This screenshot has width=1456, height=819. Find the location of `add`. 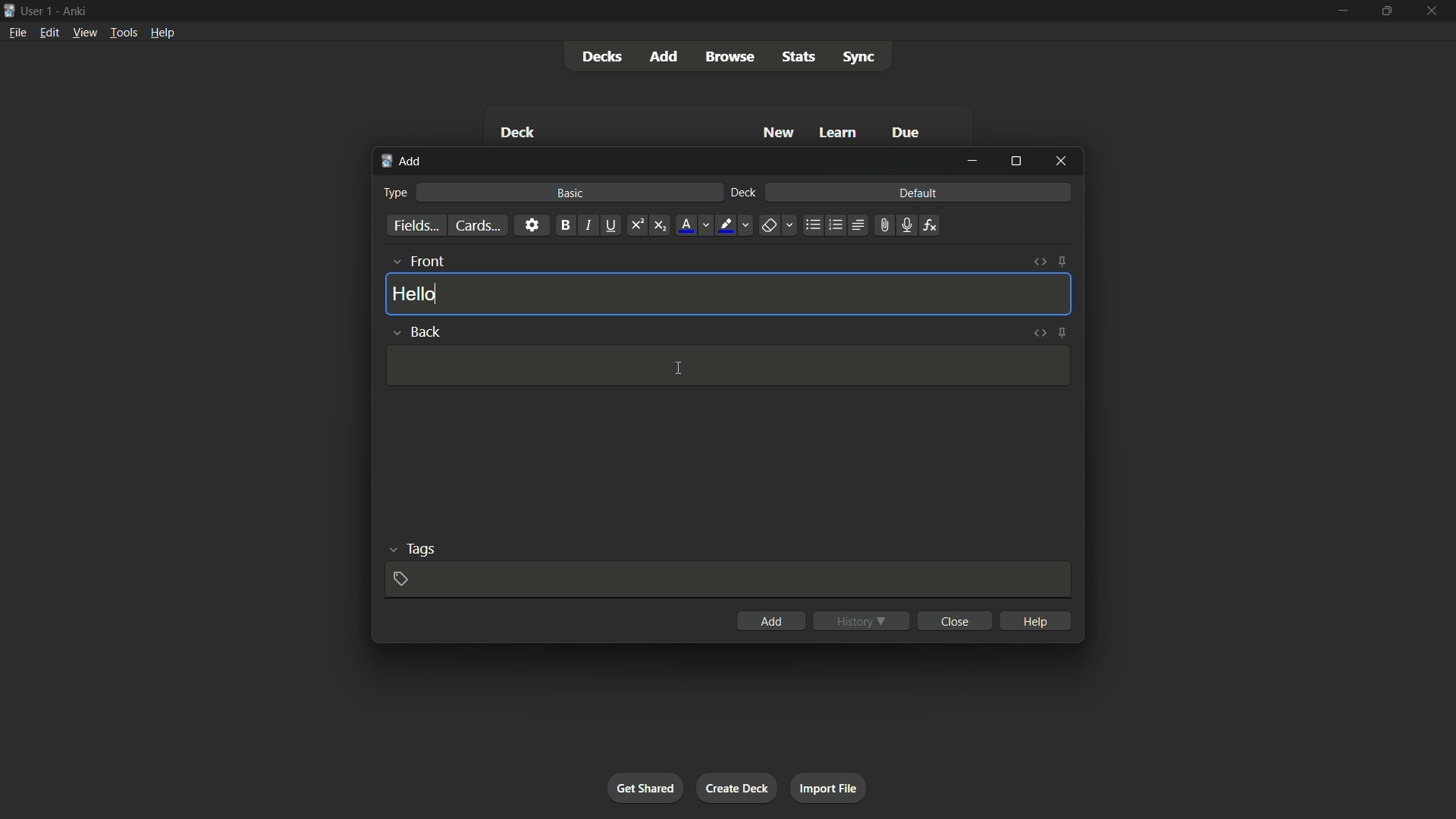

add is located at coordinates (403, 162).